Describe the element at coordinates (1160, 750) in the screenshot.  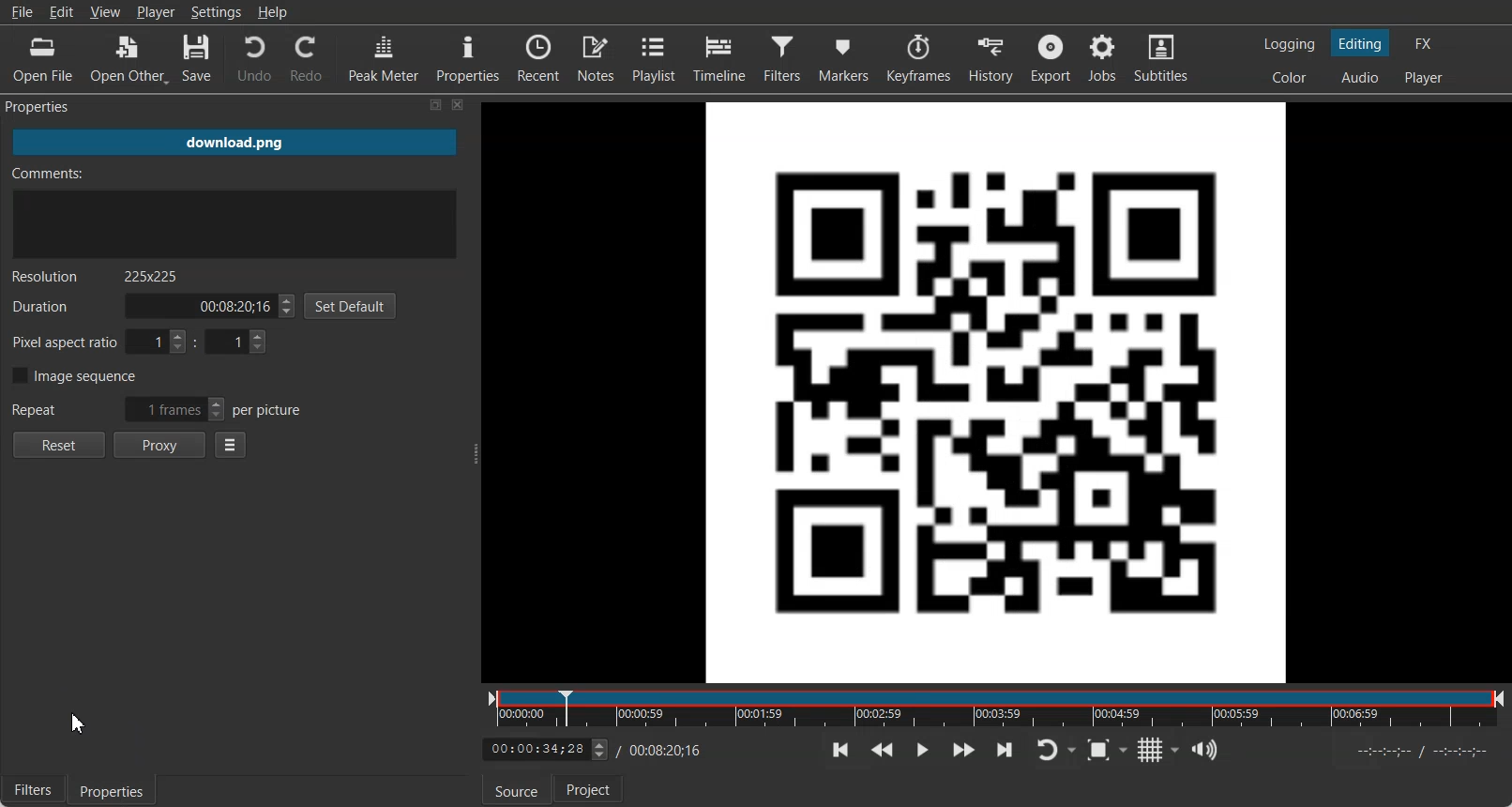
I see `Toggle grid display on the player` at that location.